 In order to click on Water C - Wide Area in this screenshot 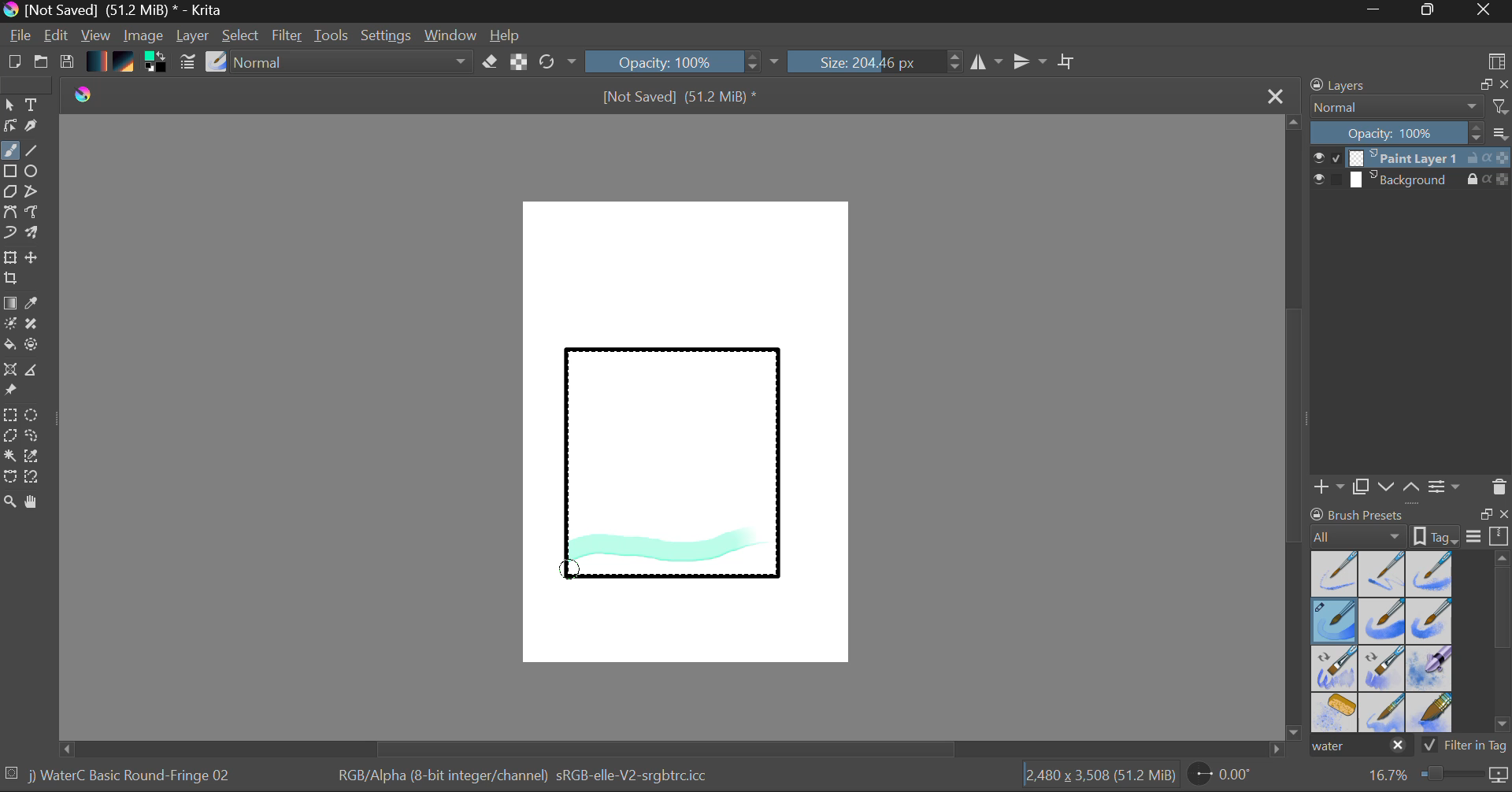, I will do `click(1432, 713)`.